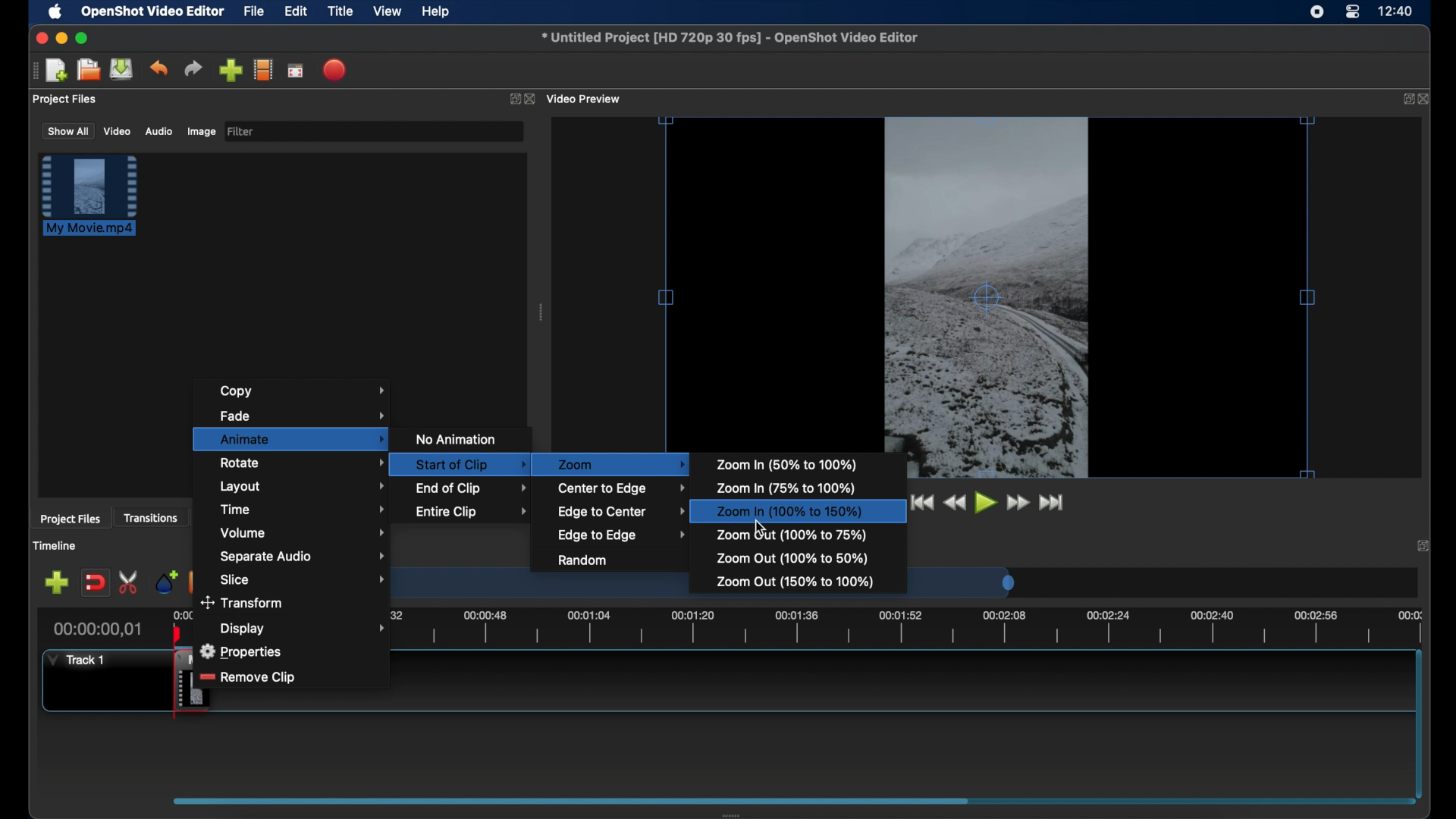  What do you see at coordinates (303, 414) in the screenshot?
I see `fade menu` at bounding box center [303, 414].